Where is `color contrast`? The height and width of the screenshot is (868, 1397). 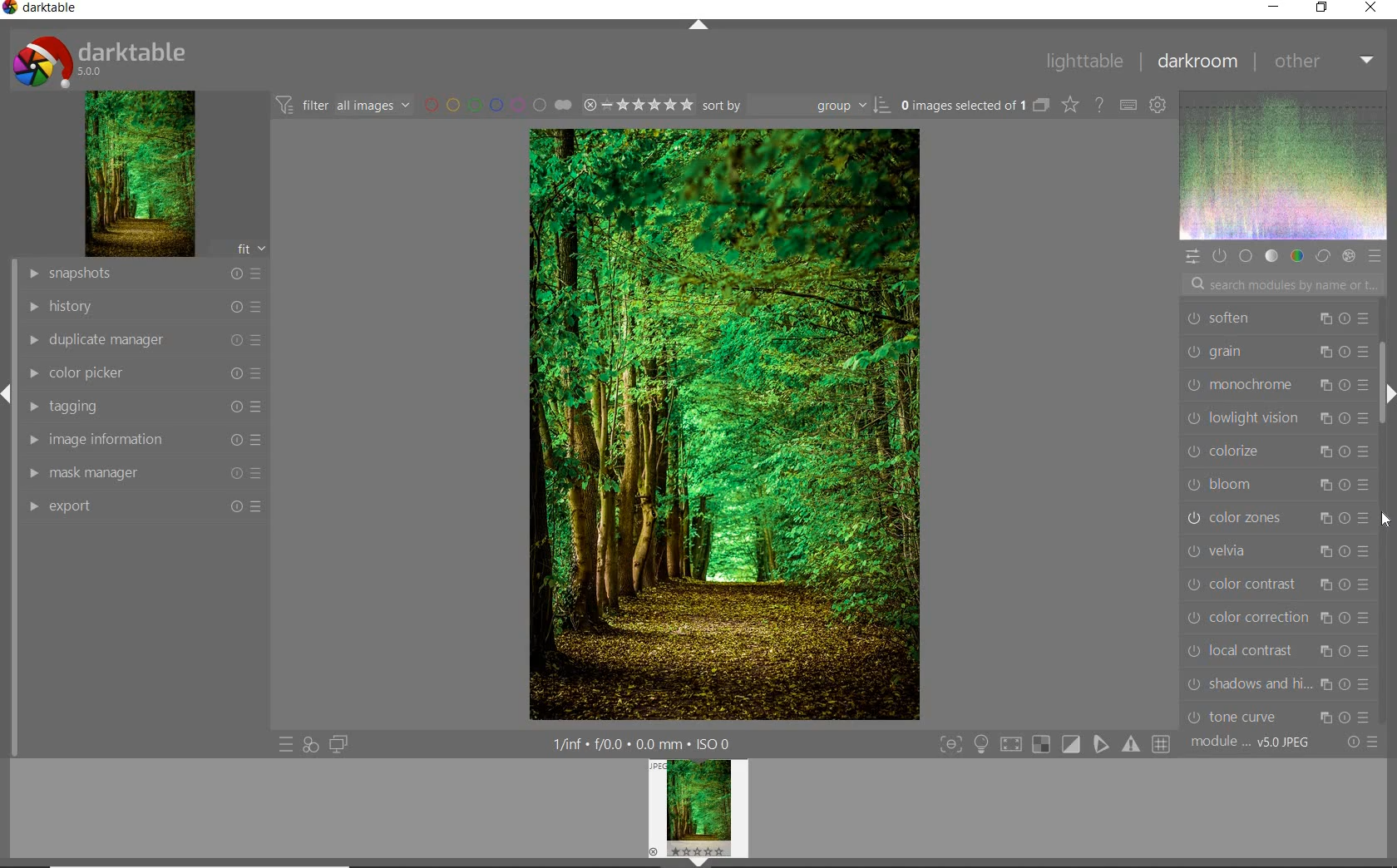 color contrast is located at coordinates (1278, 584).